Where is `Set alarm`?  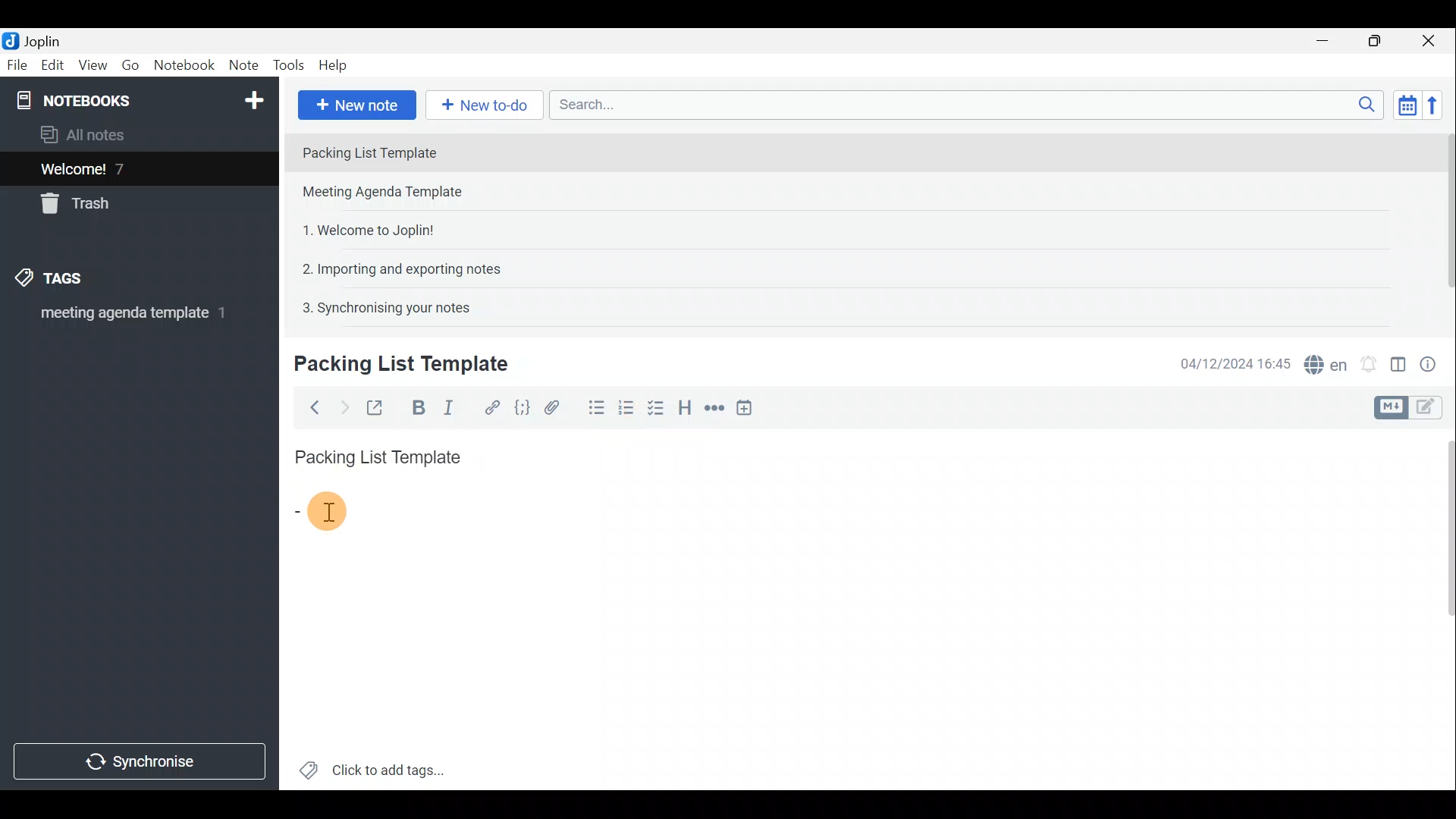
Set alarm is located at coordinates (1368, 360).